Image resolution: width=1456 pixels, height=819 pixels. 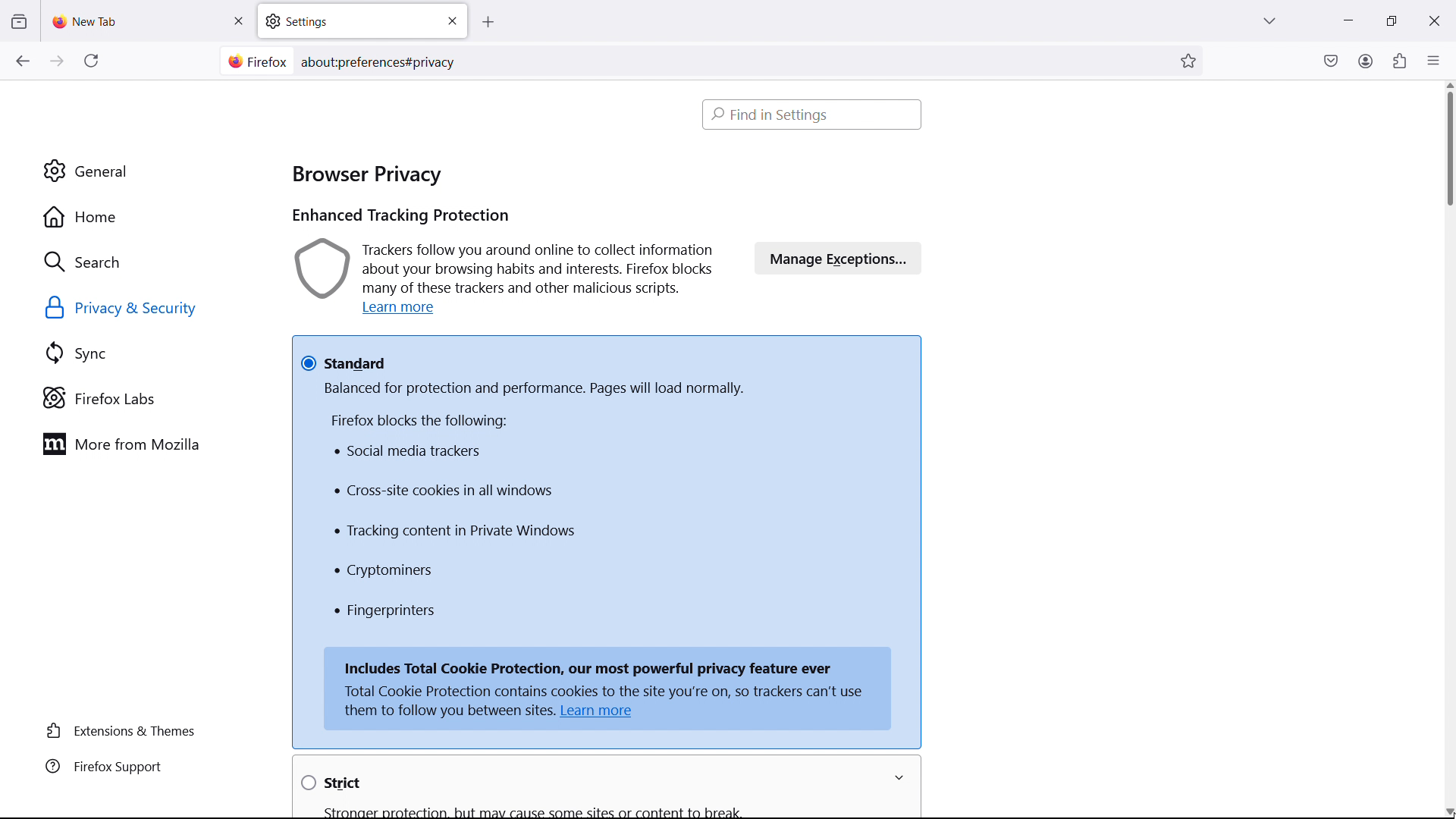 I want to click on Balanced for protection and performance. Pages will load normally.

Firefox blocks the following:

* Social media trackers

+ Cross-site cookies in all windows

« Tracking content in Private Windows

« Cryptominers

* Fingerprinters
Includes Total Cookie Protection, our most powerful privacy feature ever
Total Cookie Protection contains cookies to the site you're on, so trackers can't use
them to follow you between sites. Learn more, so click(x=608, y=557).